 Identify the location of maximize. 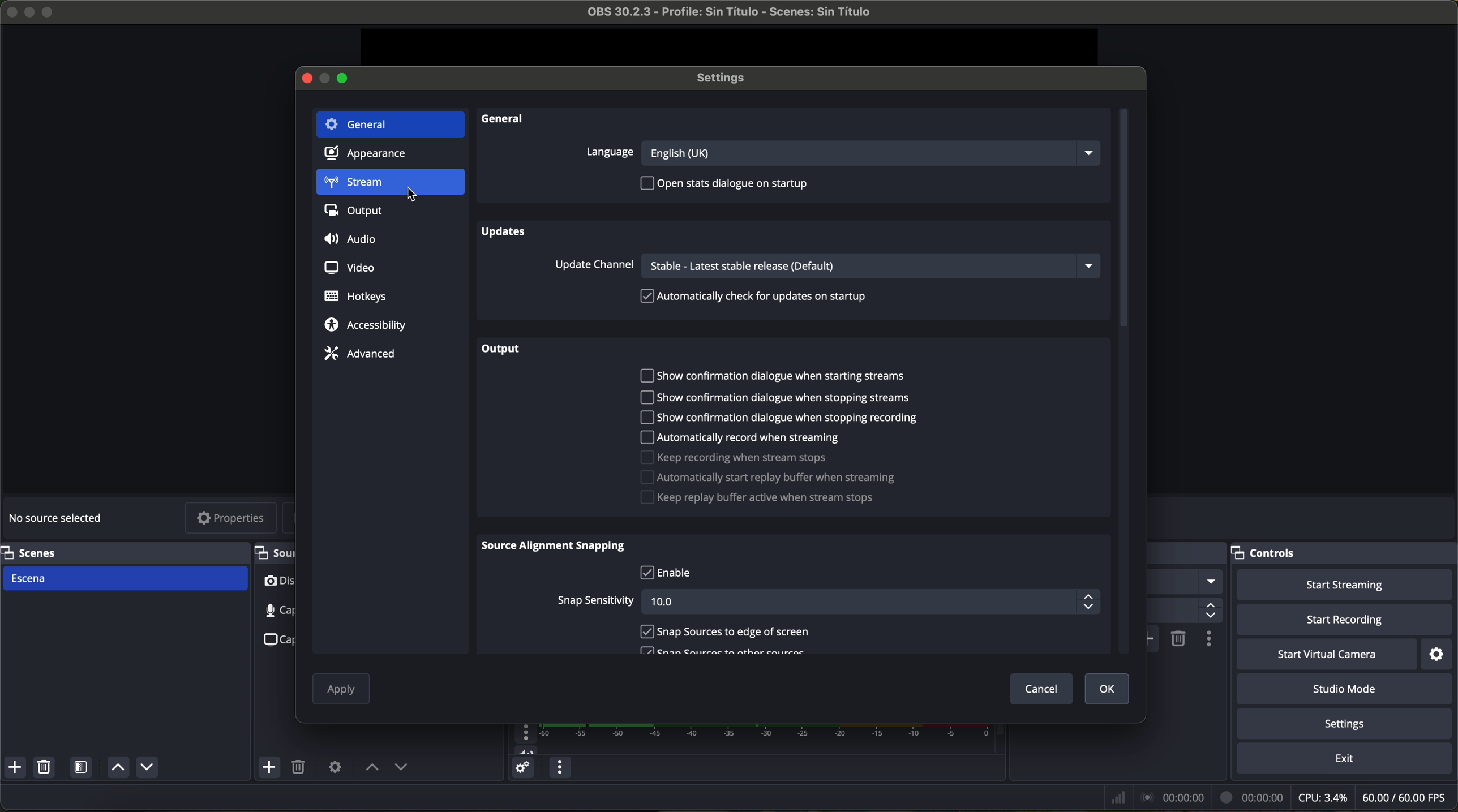
(50, 12).